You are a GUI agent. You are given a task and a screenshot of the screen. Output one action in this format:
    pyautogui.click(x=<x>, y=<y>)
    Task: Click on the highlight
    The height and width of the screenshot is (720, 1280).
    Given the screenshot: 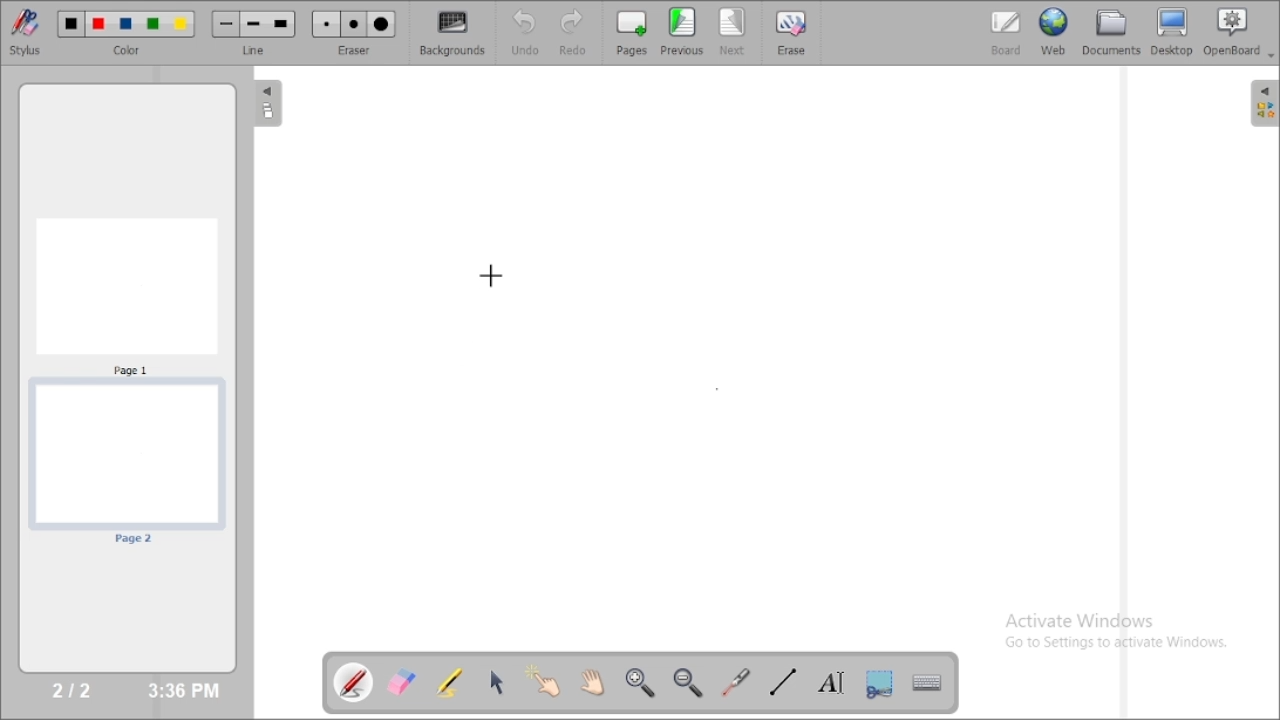 What is the action you would take?
    pyautogui.click(x=449, y=681)
    